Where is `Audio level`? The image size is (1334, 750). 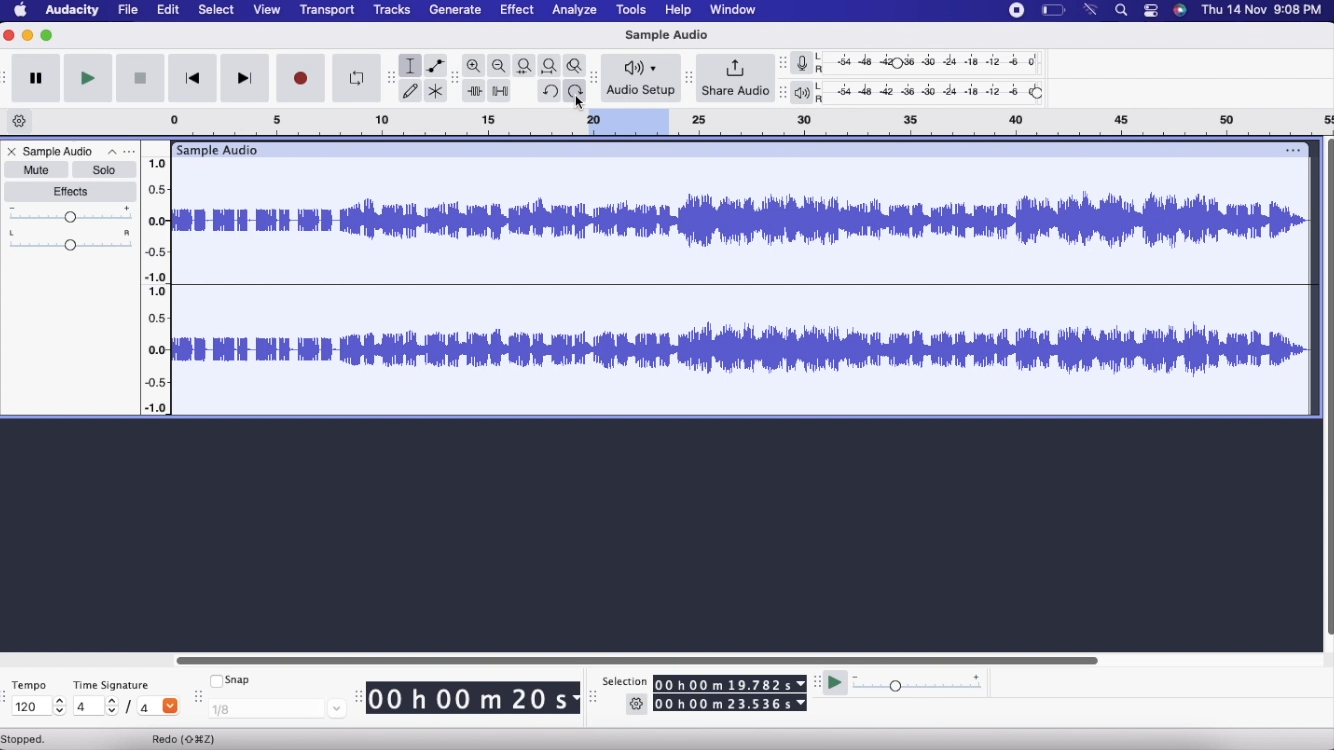 Audio level is located at coordinates (156, 350).